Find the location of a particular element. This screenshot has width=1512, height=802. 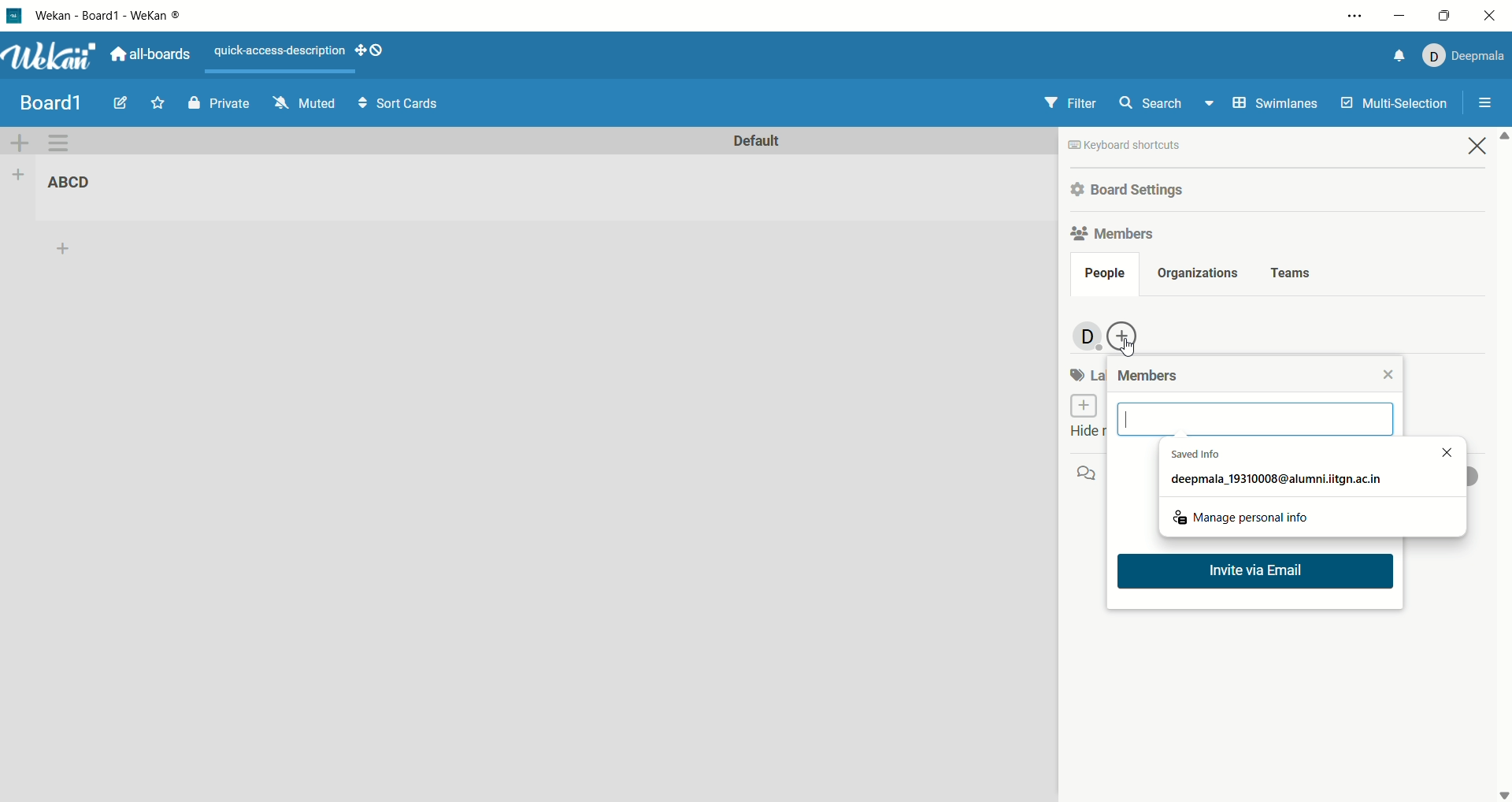

cursor is located at coordinates (1130, 344).